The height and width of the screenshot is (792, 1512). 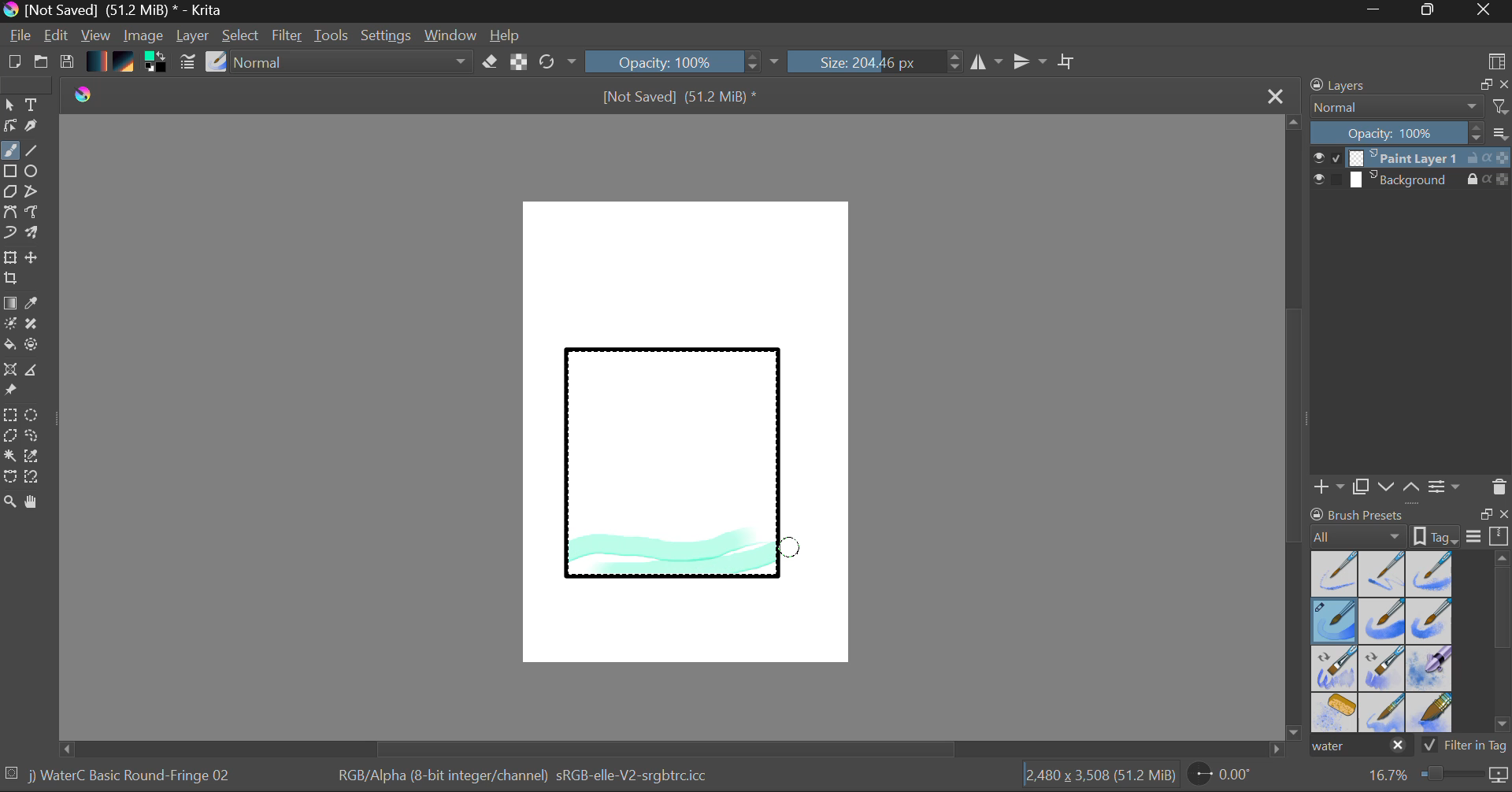 I want to click on Polyline, so click(x=33, y=193).